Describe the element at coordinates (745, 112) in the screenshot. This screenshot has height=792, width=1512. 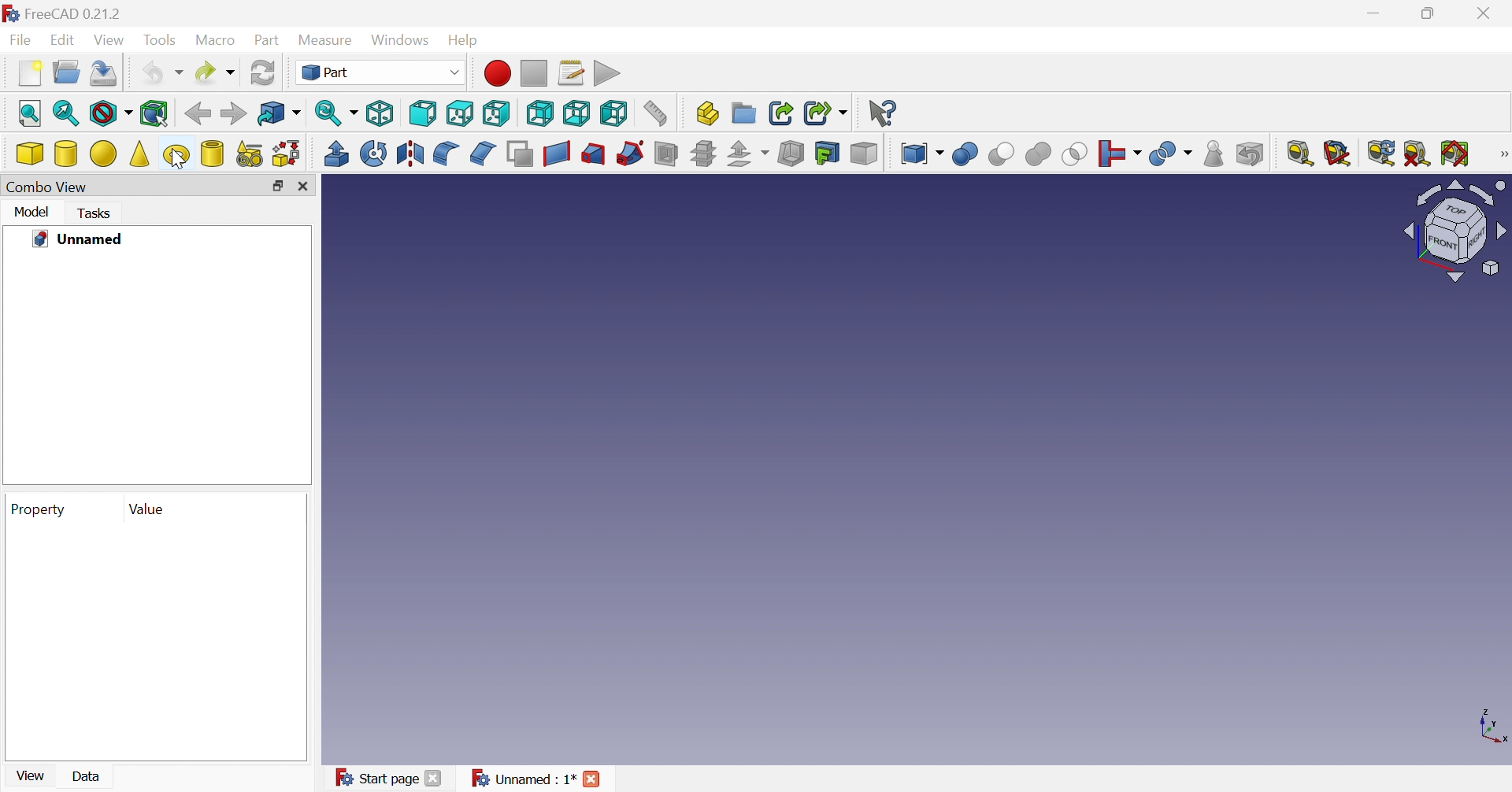
I see `Create group` at that location.